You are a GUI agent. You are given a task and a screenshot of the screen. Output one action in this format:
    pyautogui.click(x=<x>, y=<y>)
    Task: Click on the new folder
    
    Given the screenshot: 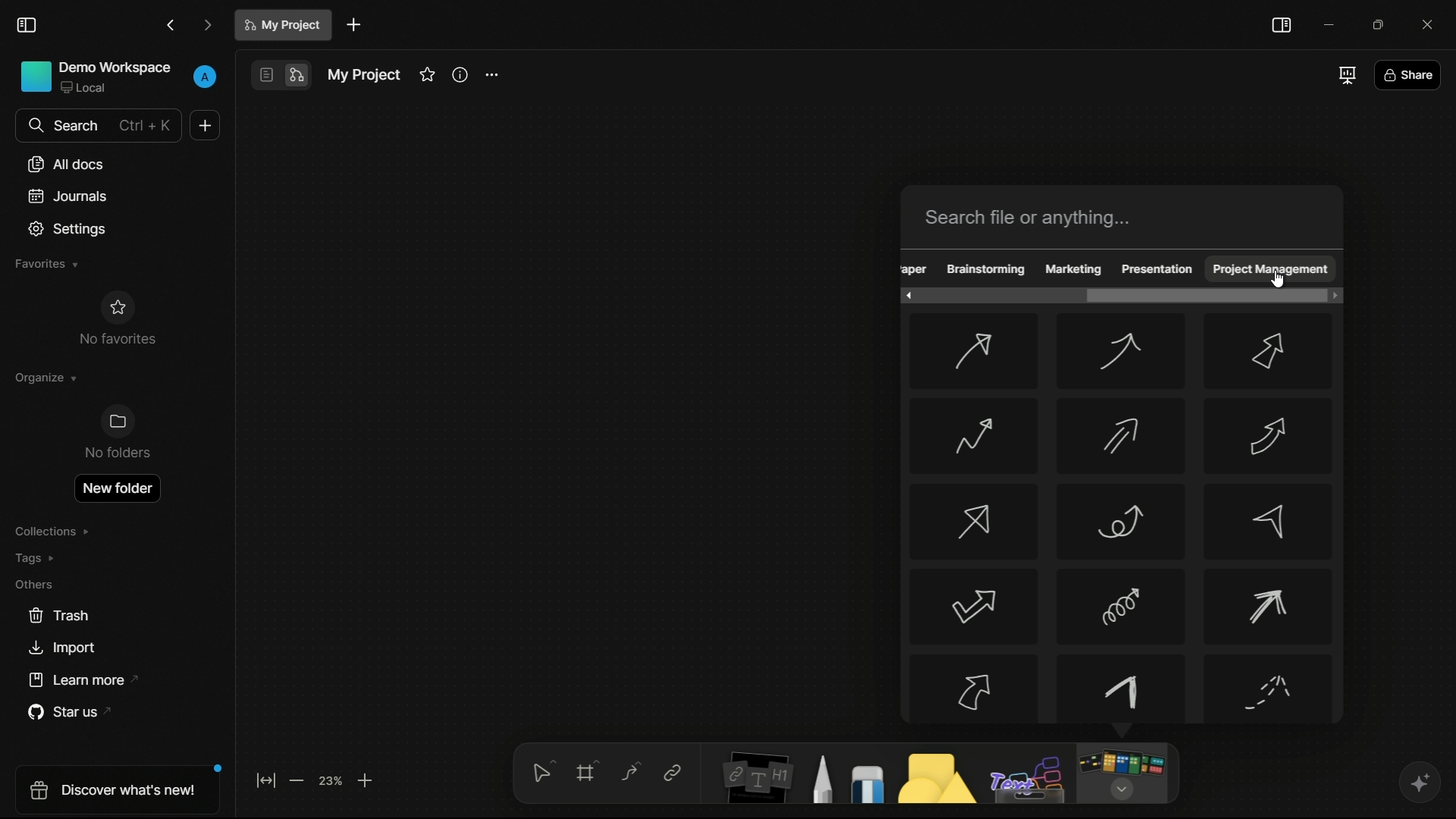 What is the action you would take?
    pyautogui.click(x=116, y=488)
    